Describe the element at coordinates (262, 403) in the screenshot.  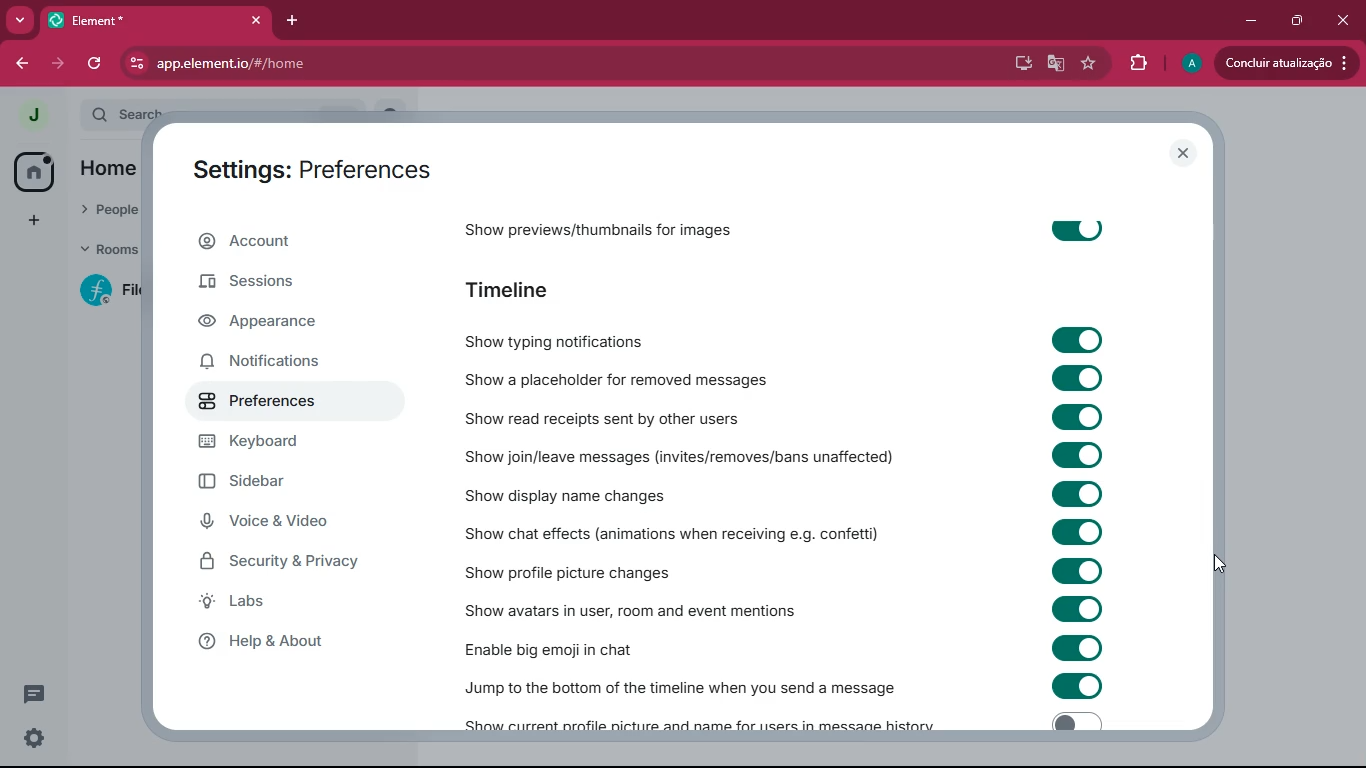
I see `preferences` at that location.